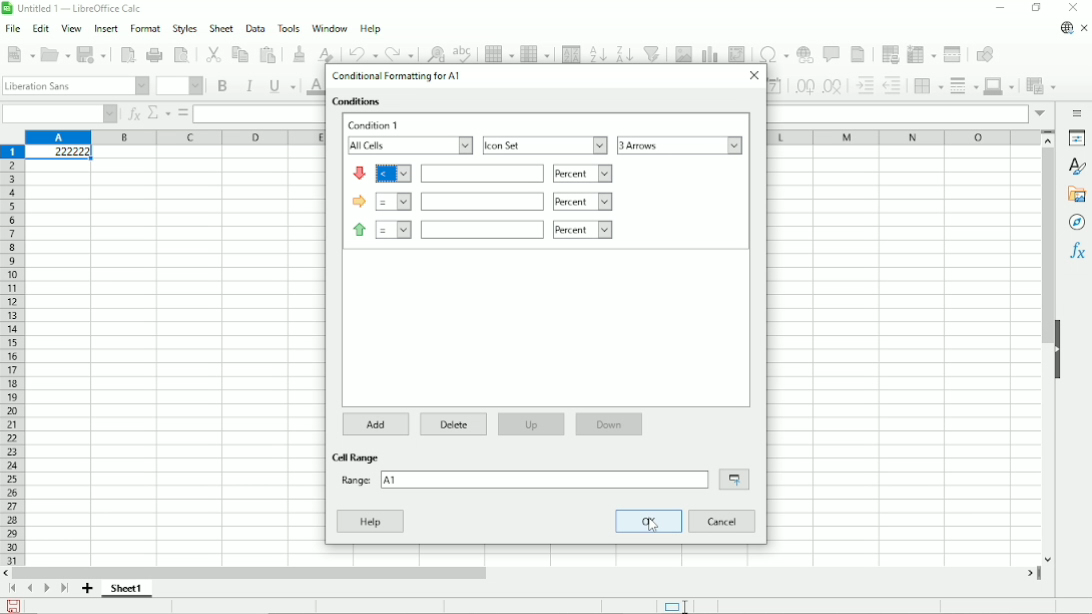  Describe the element at coordinates (128, 55) in the screenshot. I see `Export directly as PDF` at that location.